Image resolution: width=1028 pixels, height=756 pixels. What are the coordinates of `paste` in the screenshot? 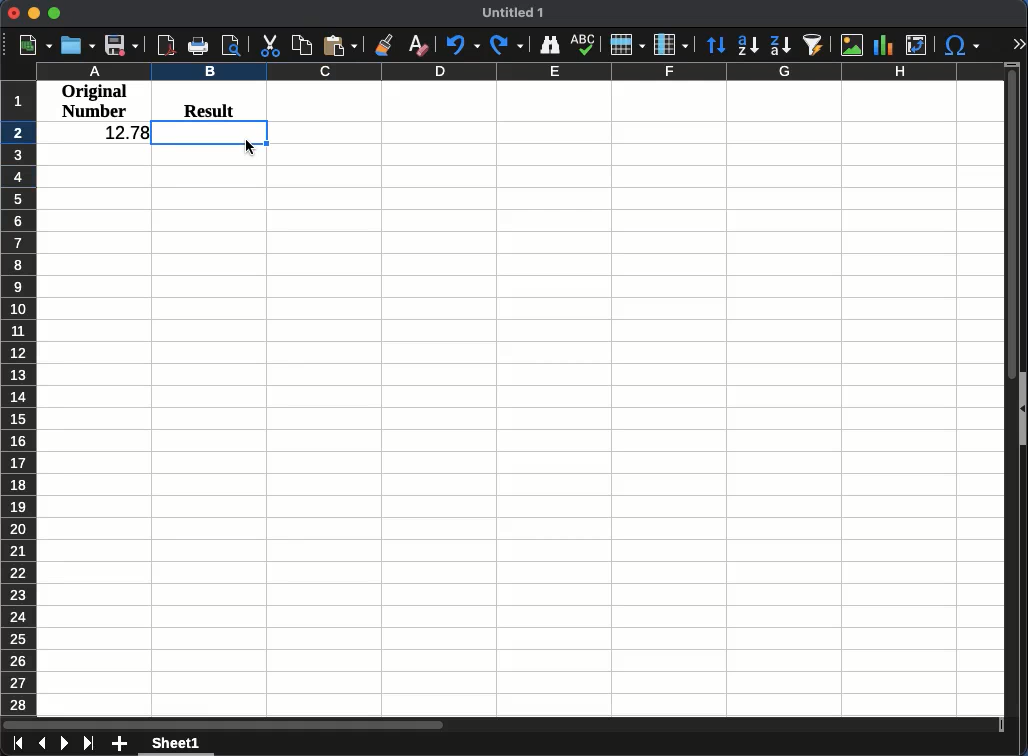 It's located at (339, 46).